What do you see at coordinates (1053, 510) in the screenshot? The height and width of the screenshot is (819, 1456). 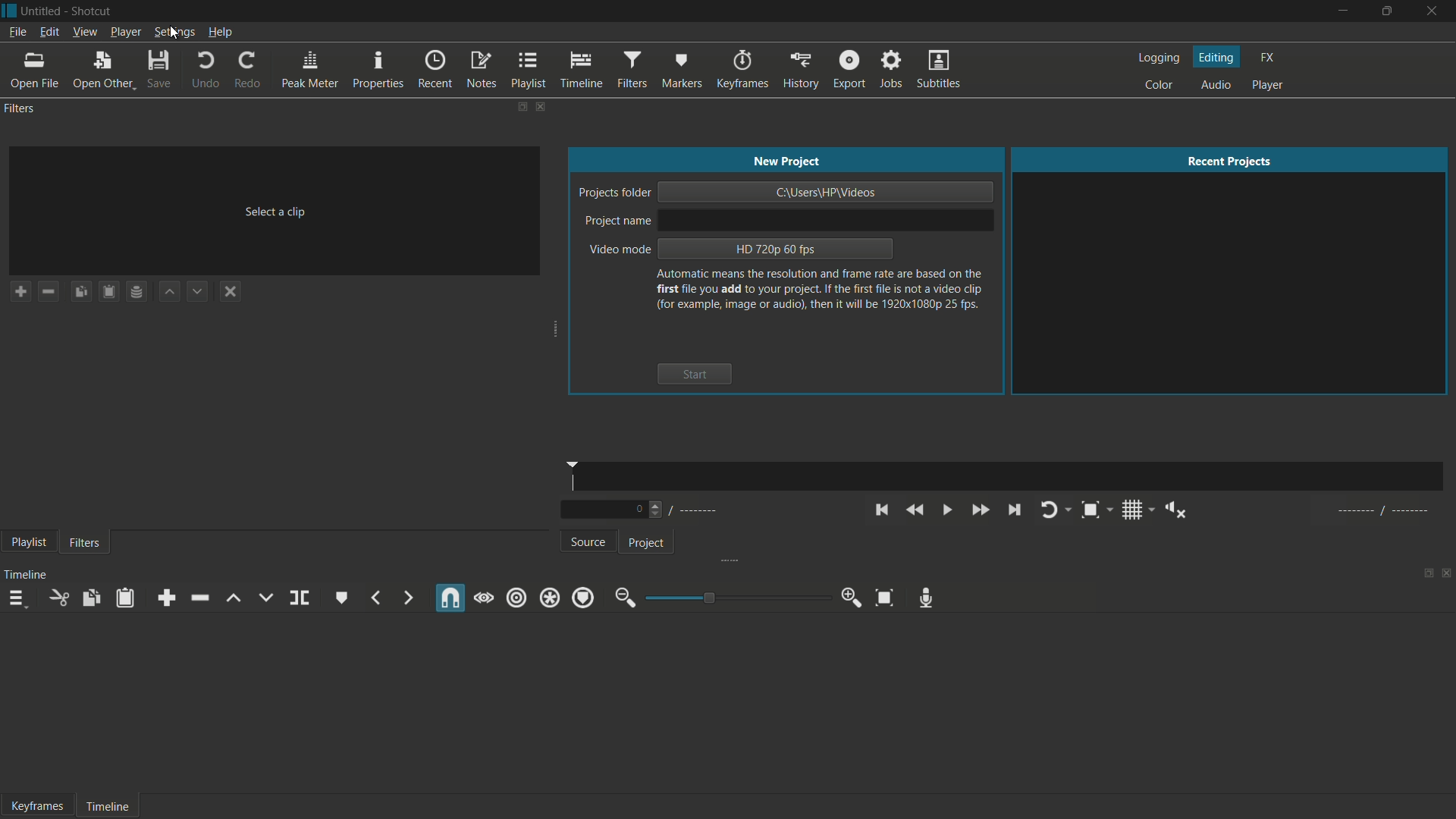 I see `toggle player looping` at bounding box center [1053, 510].